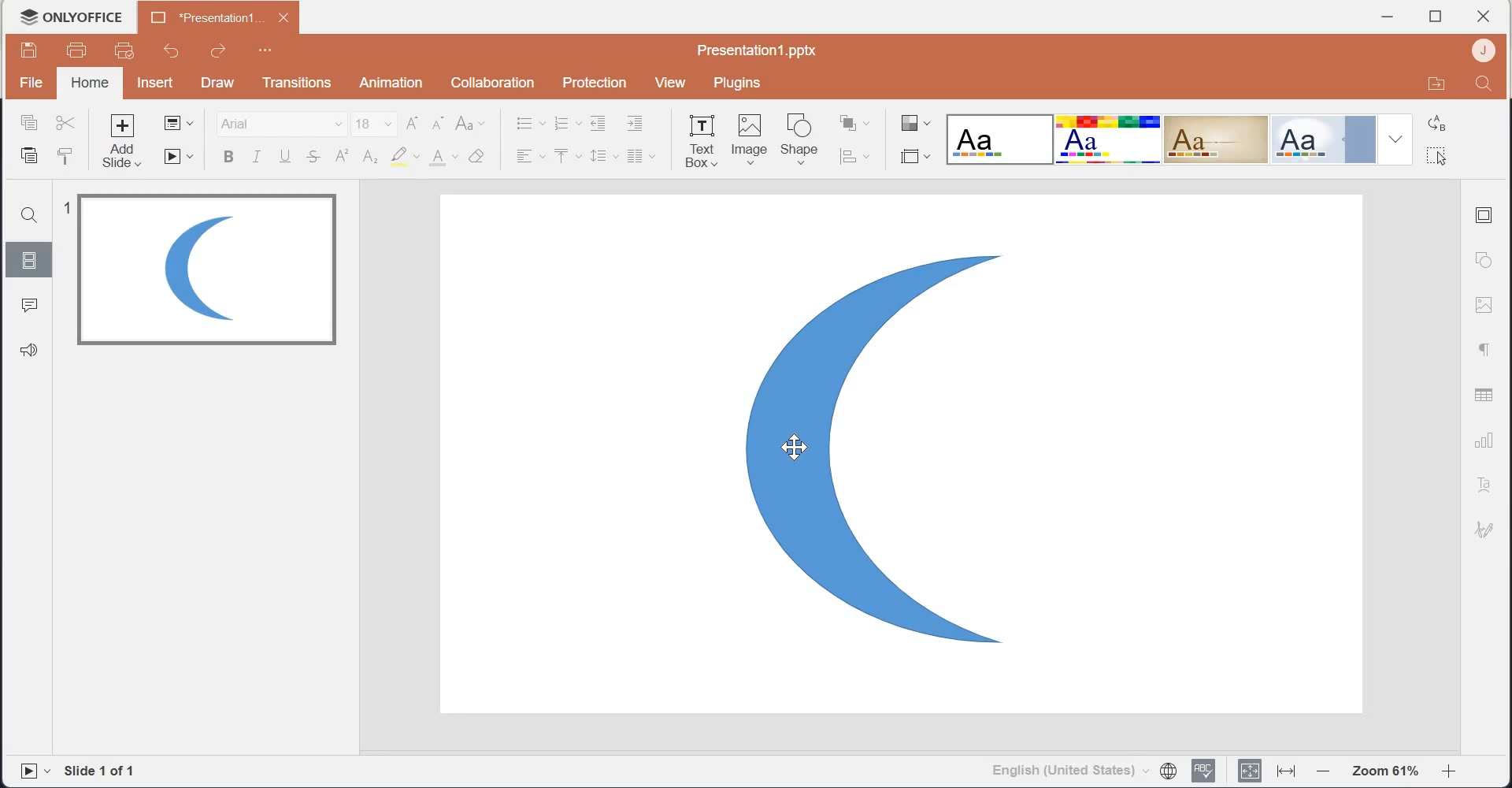 This screenshot has height=788, width=1512. Describe the element at coordinates (28, 258) in the screenshot. I see `Slides` at that location.